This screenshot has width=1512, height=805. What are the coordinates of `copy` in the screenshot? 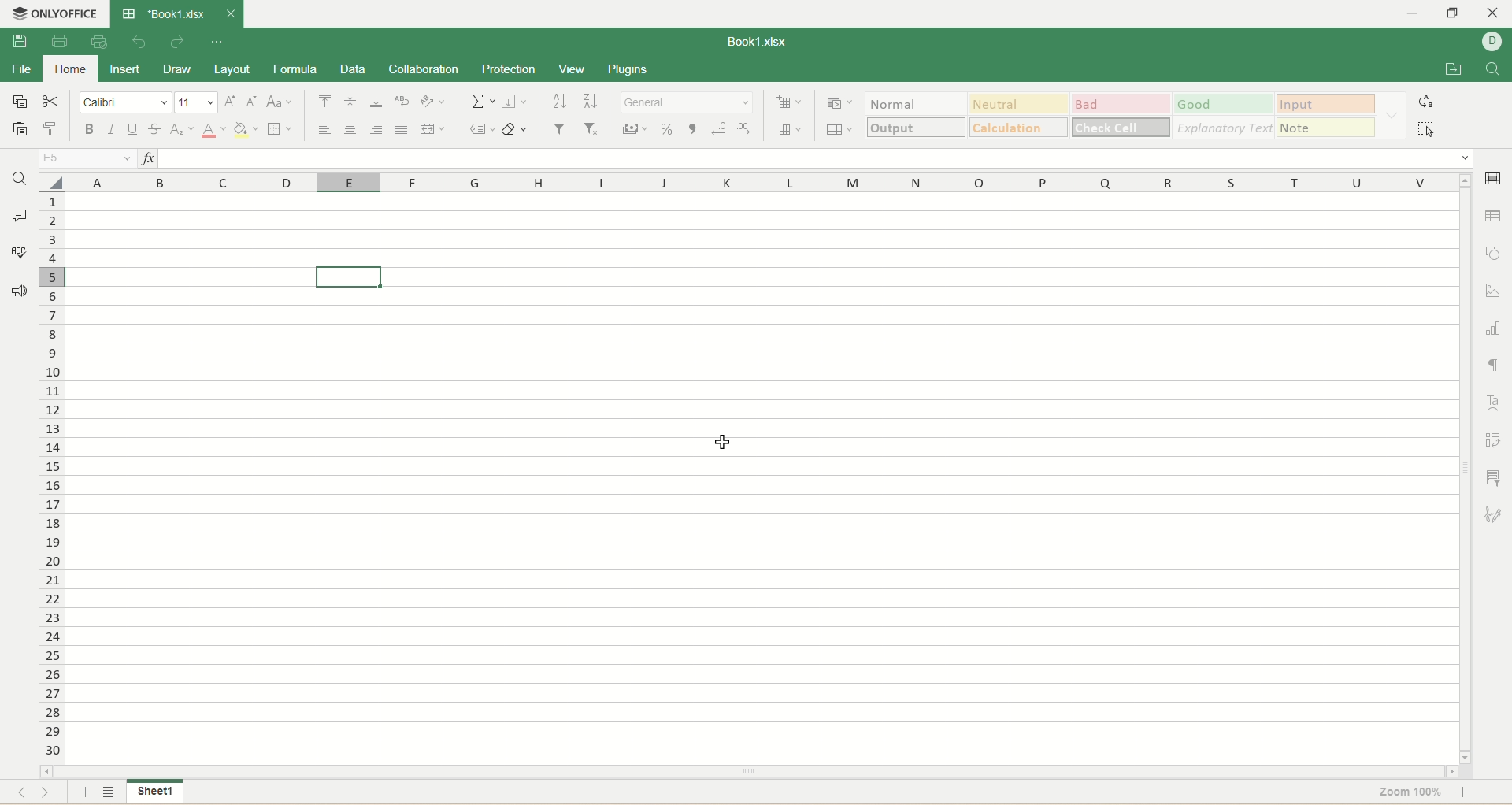 It's located at (22, 101).